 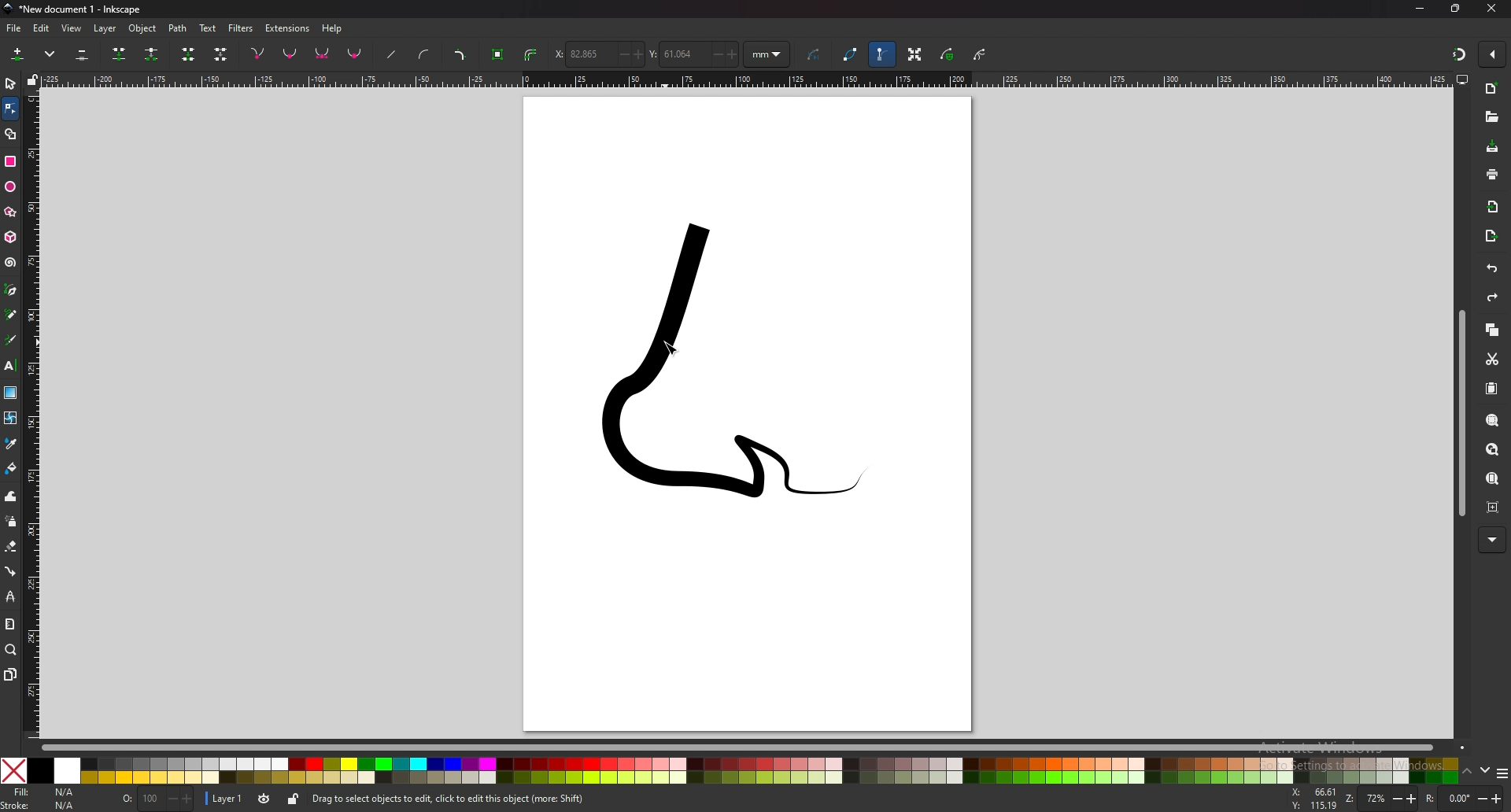 What do you see at coordinates (738, 748) in the screenshot?
I see `scroll bar` at bounding box center [738, 748].